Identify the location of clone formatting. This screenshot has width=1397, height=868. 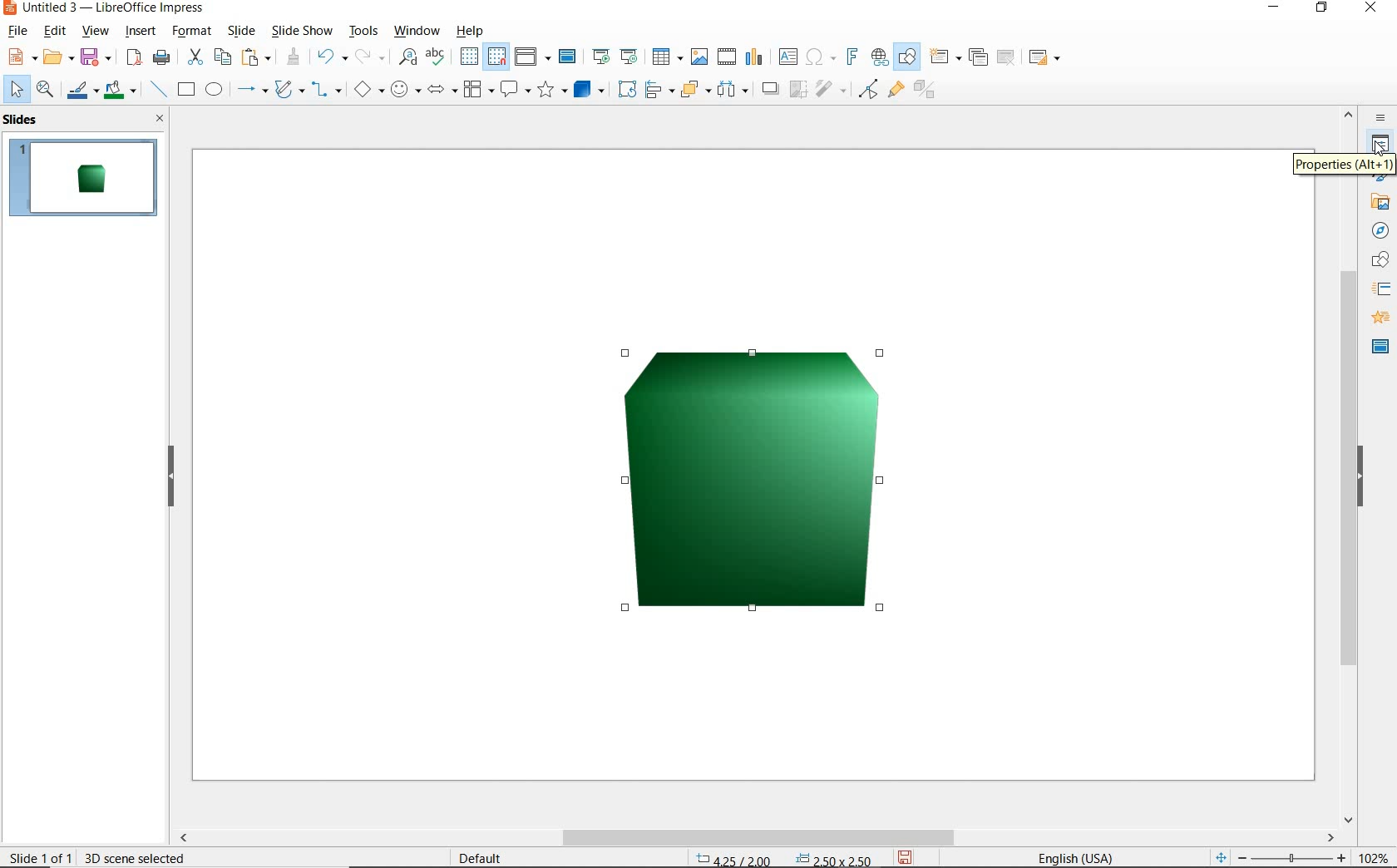
(294, 56).